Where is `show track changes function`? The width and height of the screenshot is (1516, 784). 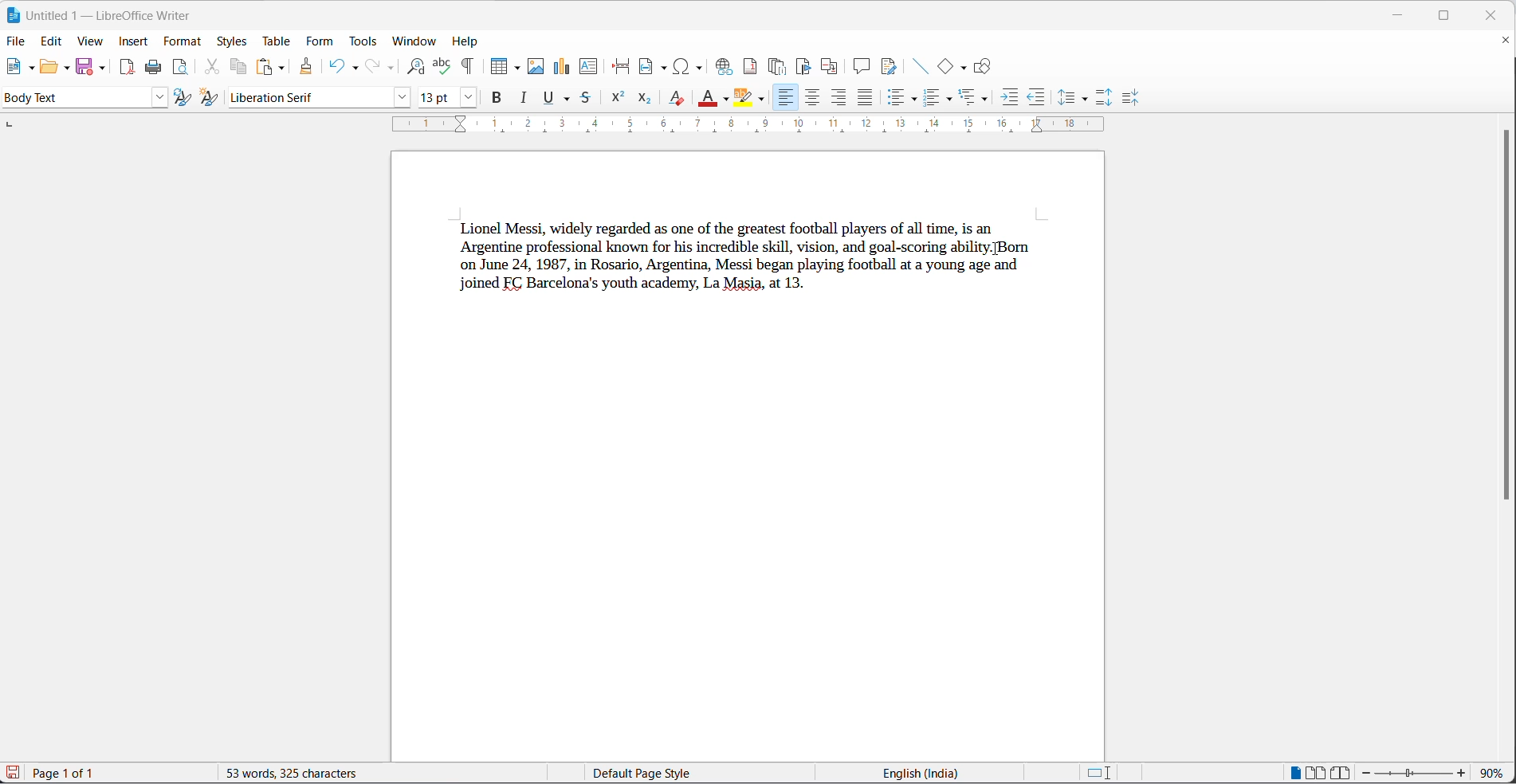
show track changes function is located at coordinates (890, 67).